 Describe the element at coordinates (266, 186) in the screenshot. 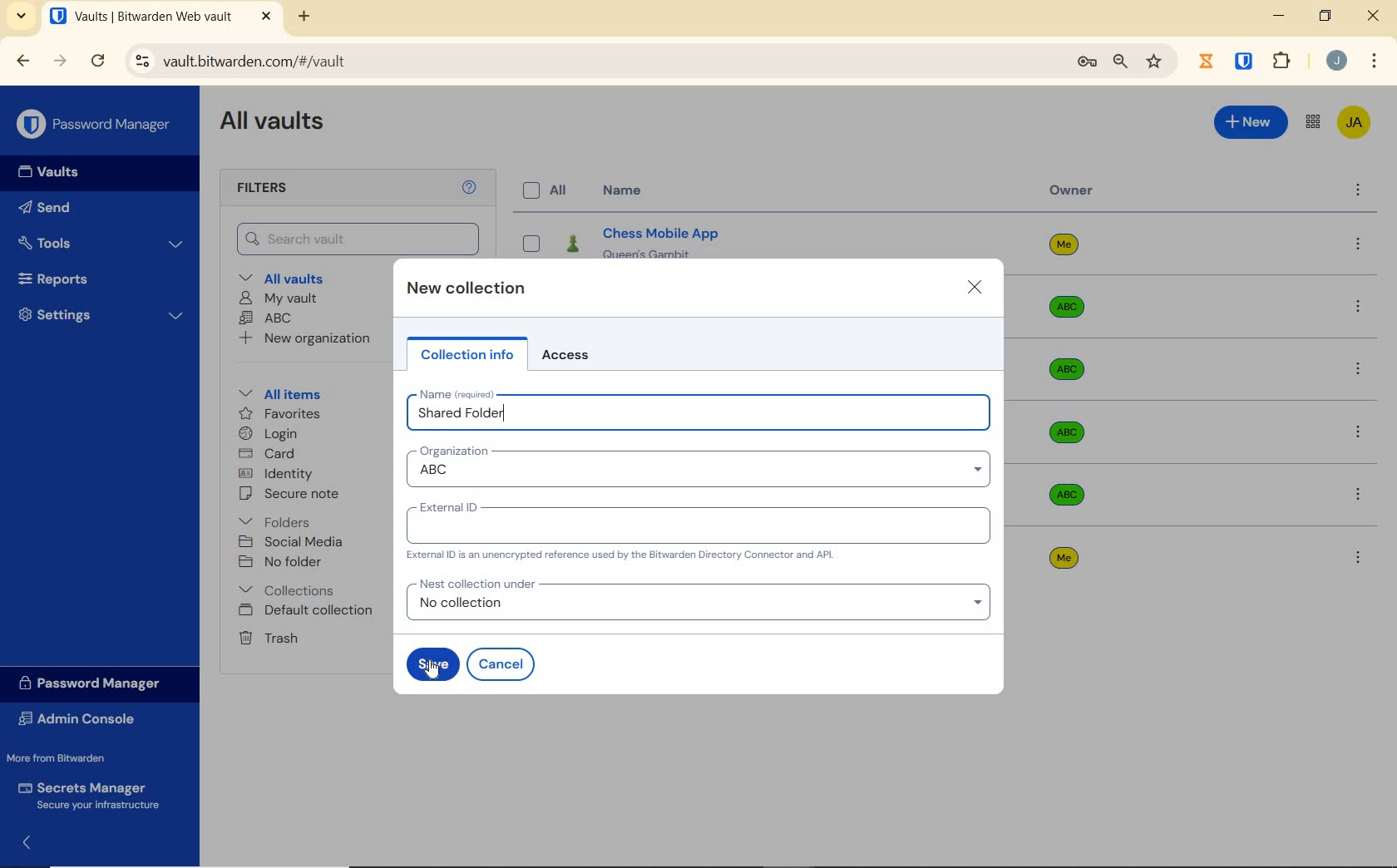

I see `Filters` at that location.